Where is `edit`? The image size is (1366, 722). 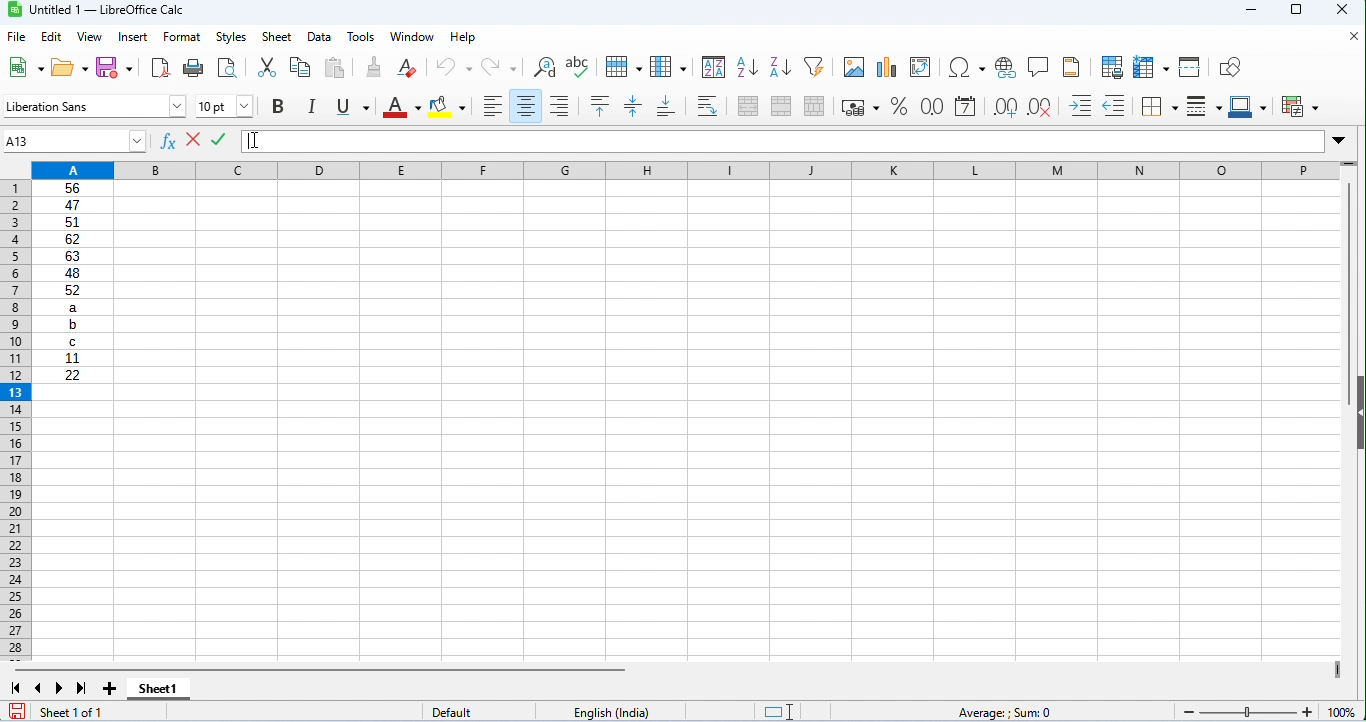
edit is located at coordinates (51, 36).